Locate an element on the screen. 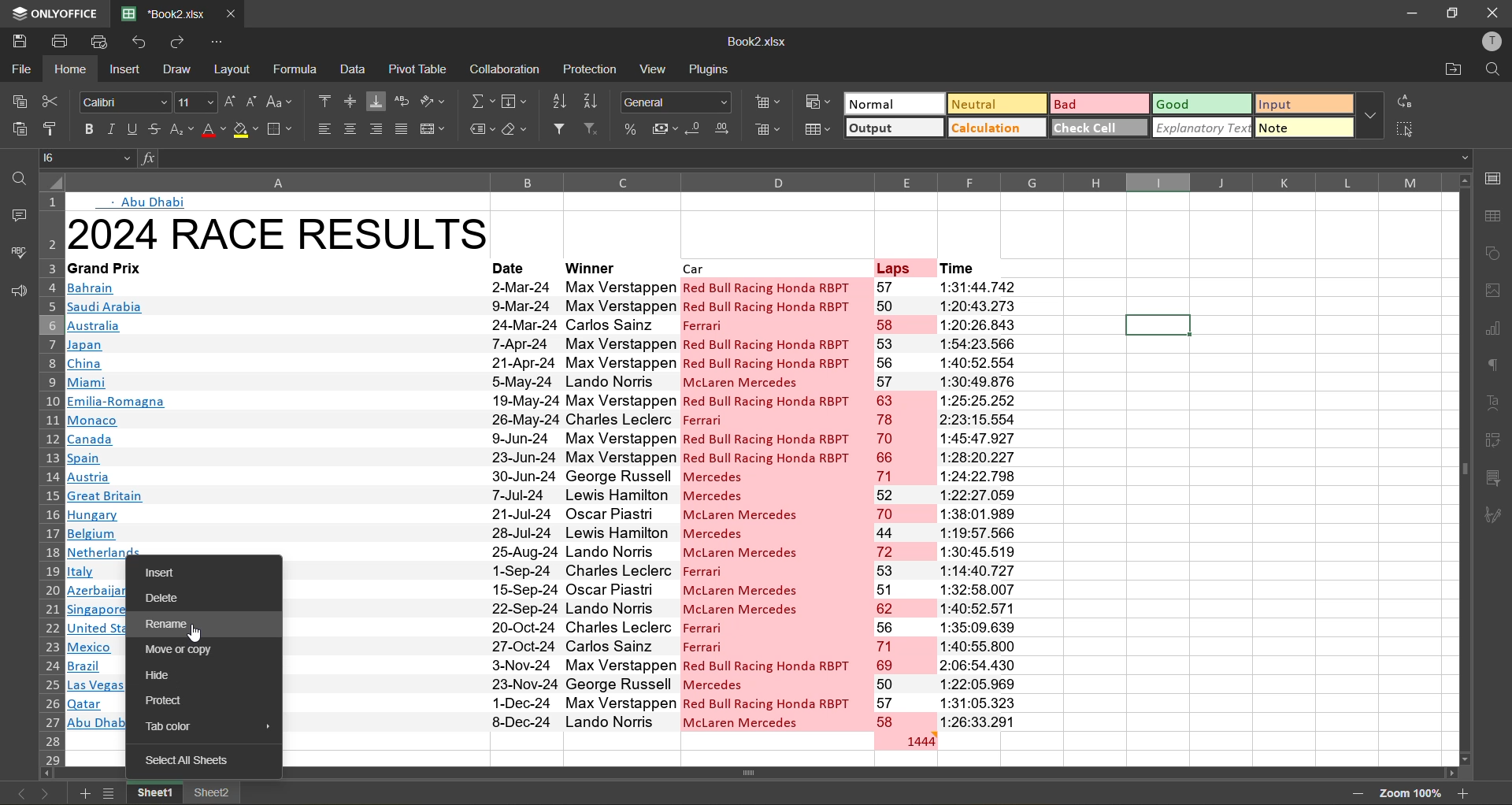 The image size is (1512, 805). open location is located at coordinates (1446, 72).